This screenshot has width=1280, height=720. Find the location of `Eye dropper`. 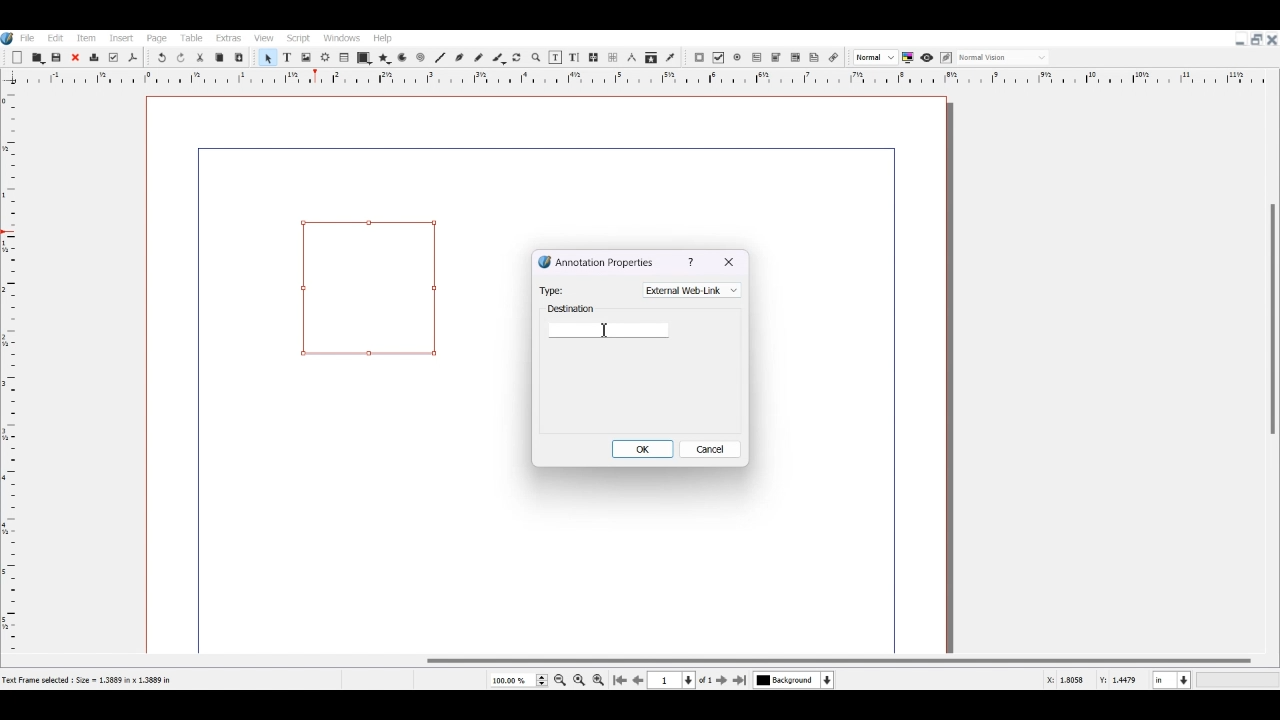

Eye dropper is located at coordinates (670, 57).